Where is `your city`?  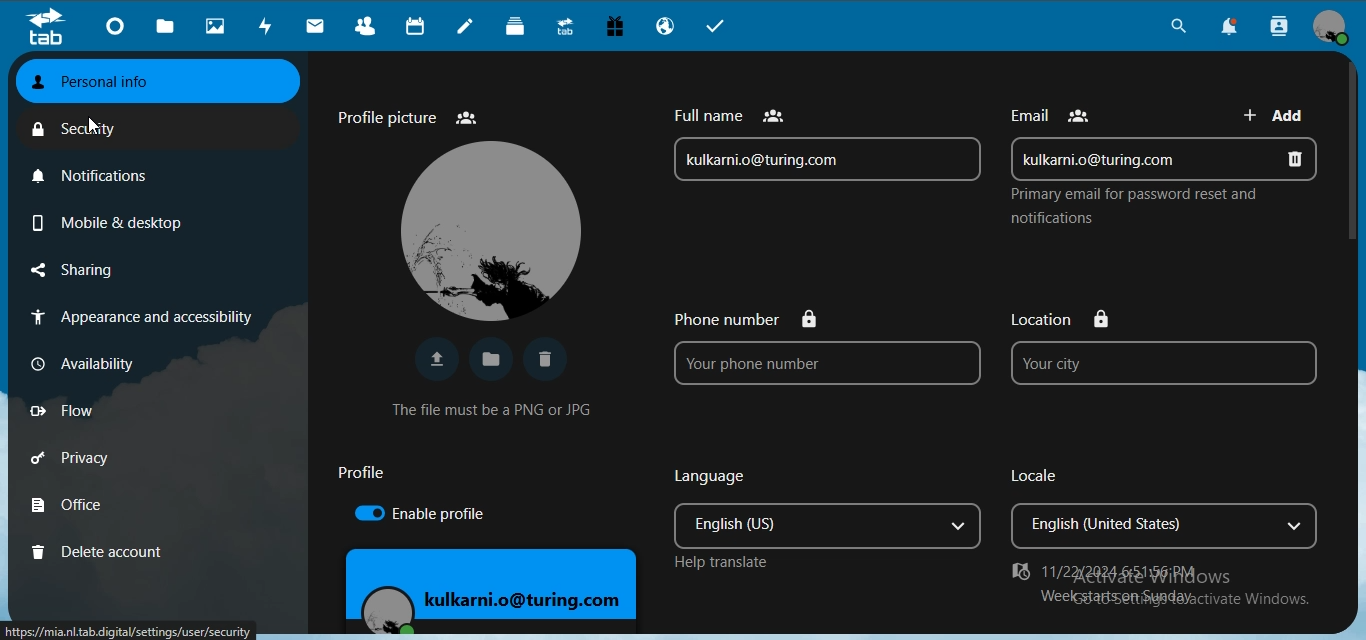 your city is located at coordinates (1162, 364).